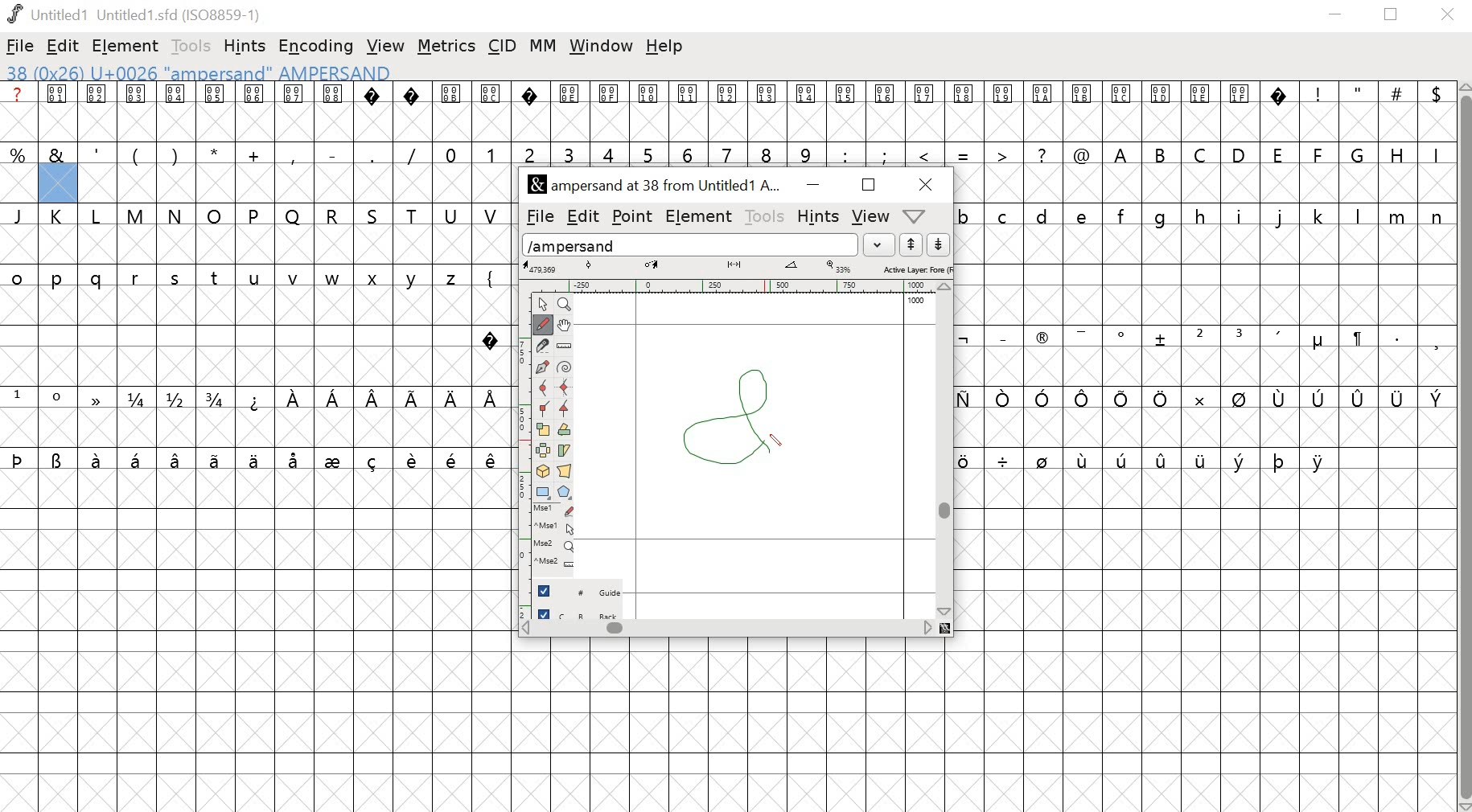  Describe the element at coordinates (544, 411) in the screenshot. I see `add a corner point` at that location.